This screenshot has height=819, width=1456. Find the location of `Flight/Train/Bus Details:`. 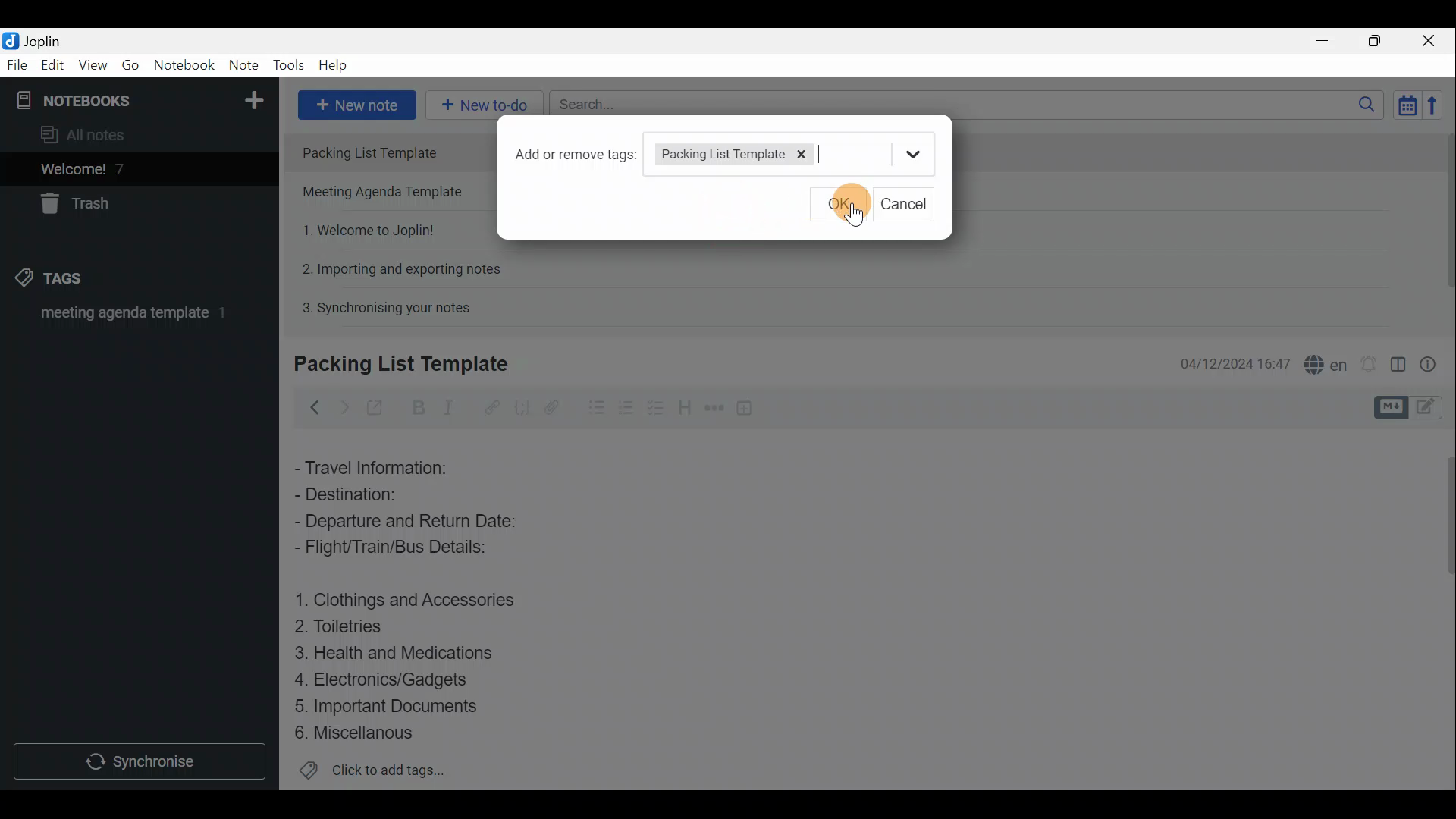

Flight/Train/Bus Details: is located at coordinates (406, 551).